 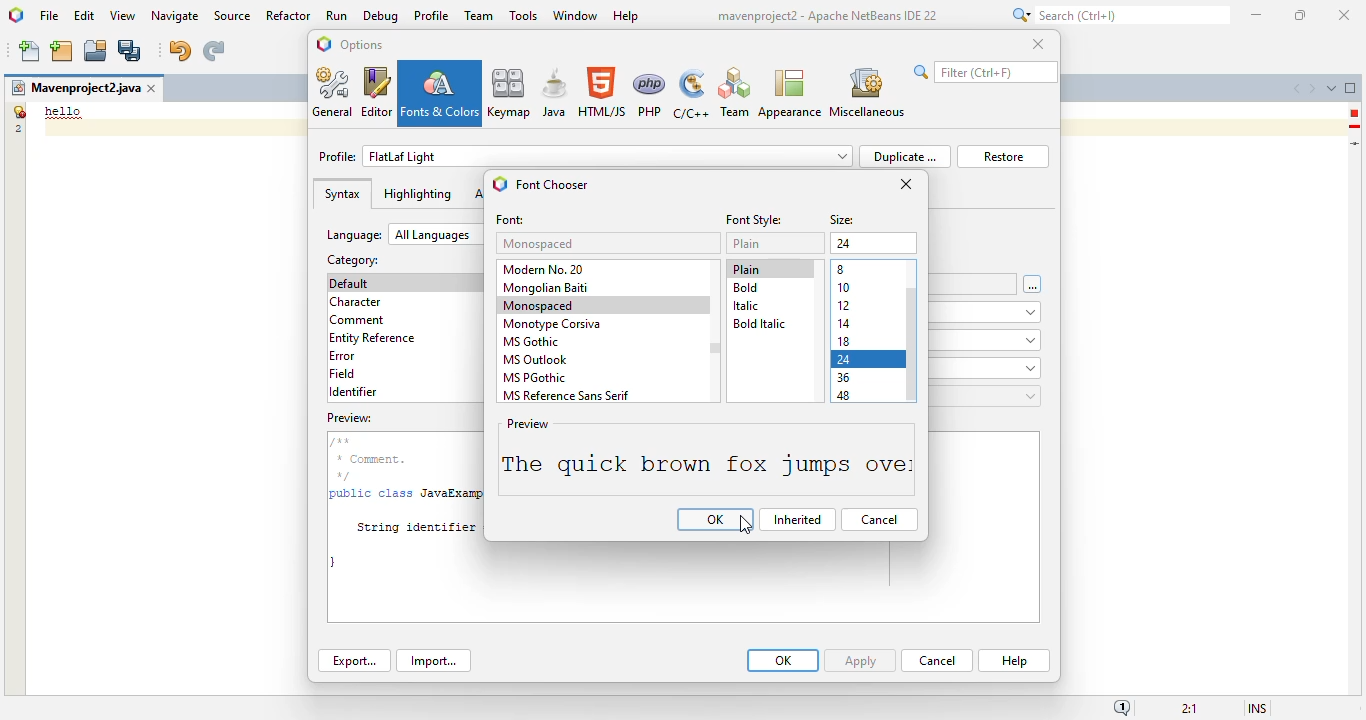 What do you see at coordinates (350, 283) in the screenshot?
I see `default` at bounding box center [350, 283].